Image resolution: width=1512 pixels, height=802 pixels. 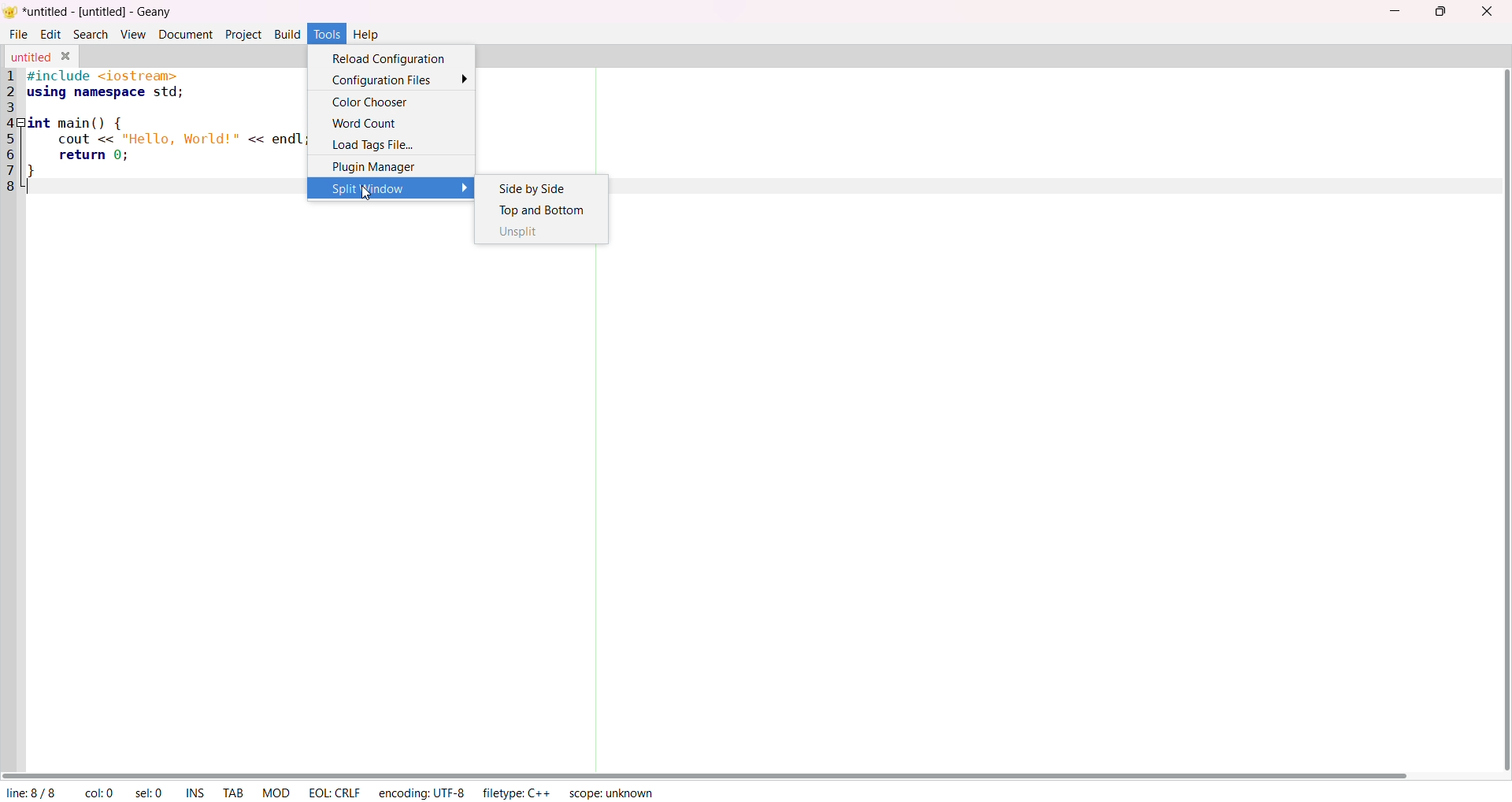 I want to click on View, so click(x=134, y=34).